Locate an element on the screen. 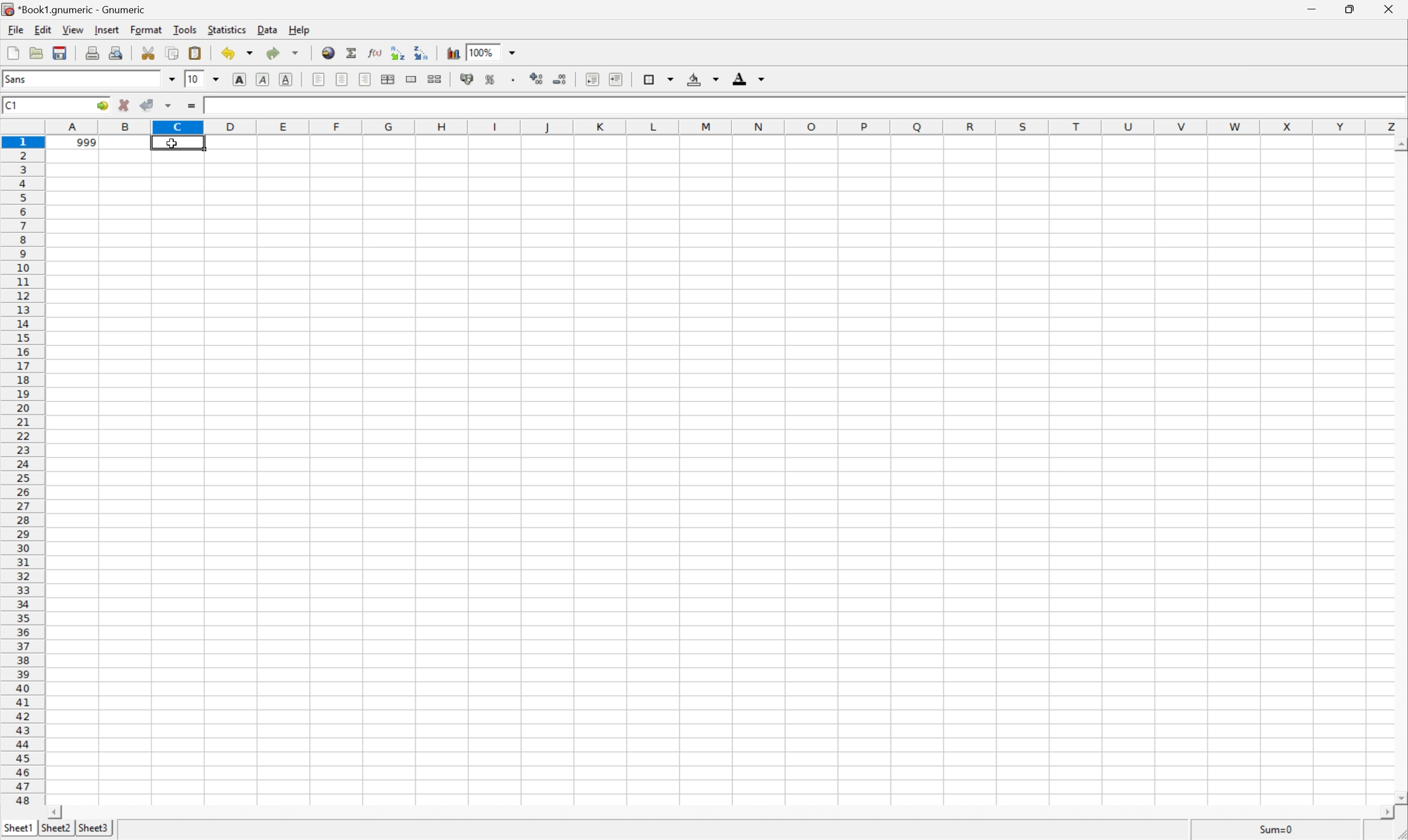  insert is located at coordinates (106, 31).